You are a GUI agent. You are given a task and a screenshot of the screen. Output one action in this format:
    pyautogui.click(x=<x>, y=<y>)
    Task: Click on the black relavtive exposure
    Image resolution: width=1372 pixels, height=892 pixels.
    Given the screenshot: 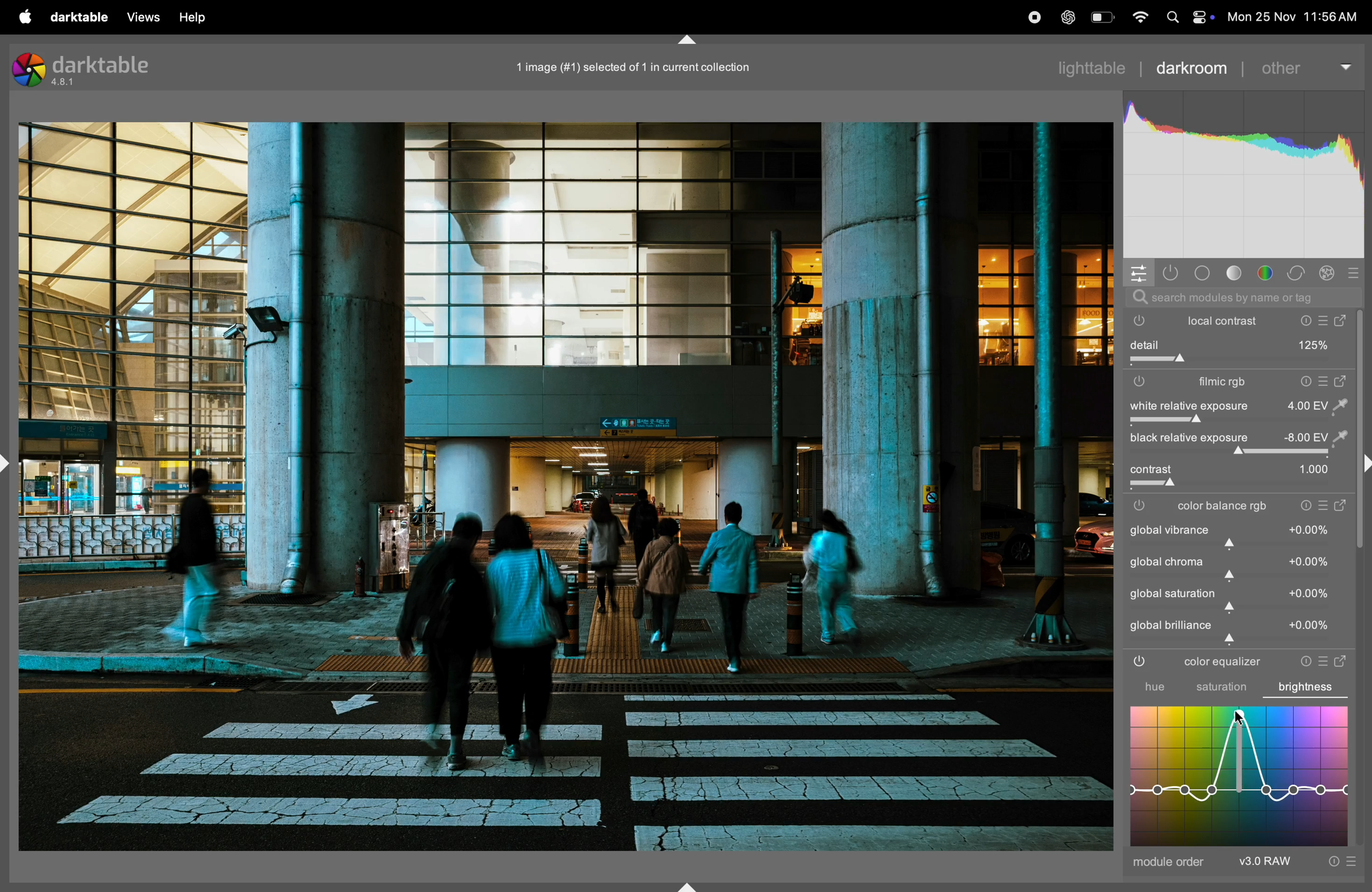 What is the action you would take?
    pyautogui.click(x=1186, y=439)
    